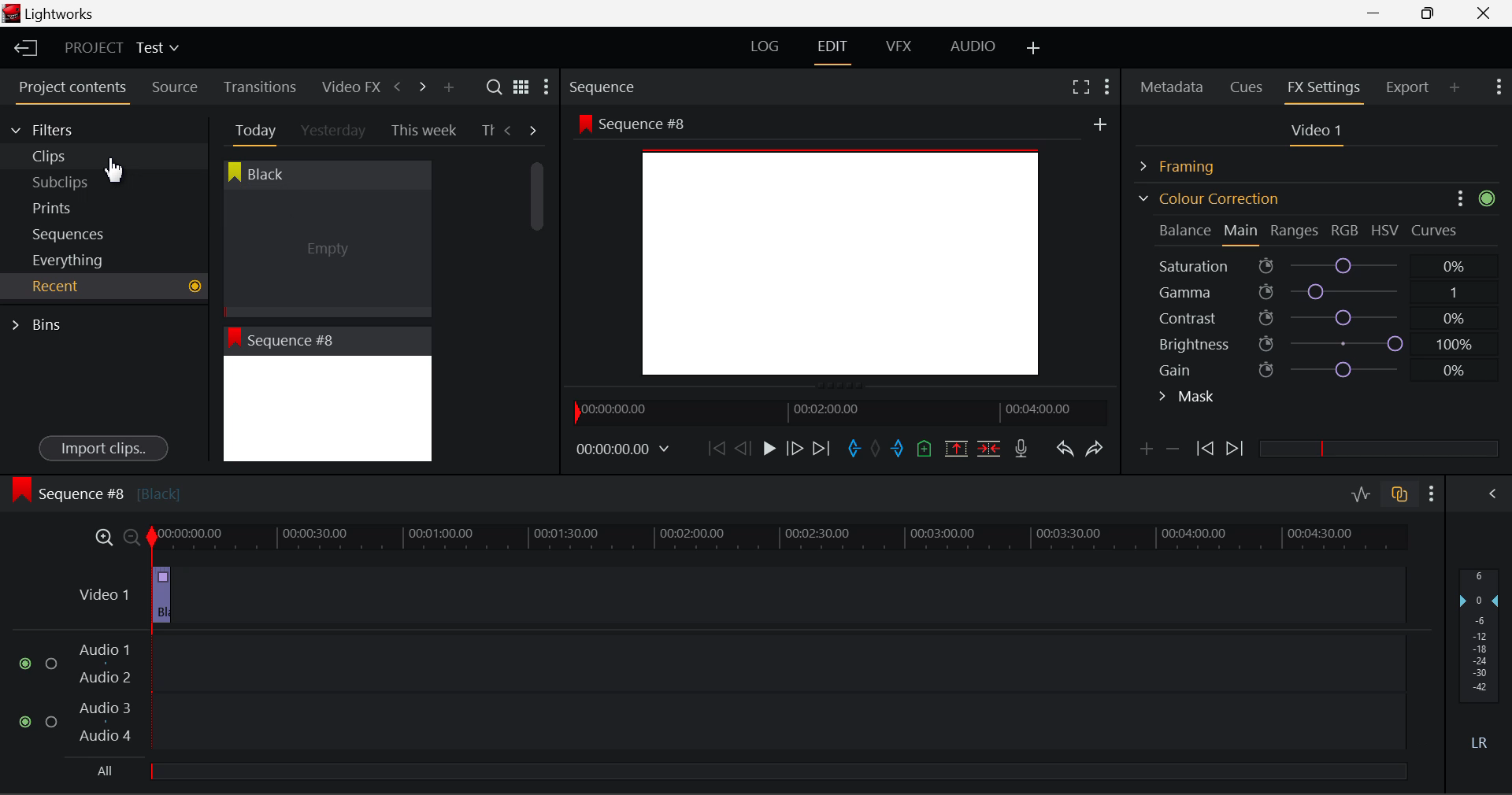 The width and height of the screenshot is (1512, 795). I want to click on This week Tab, so click(422, 131).